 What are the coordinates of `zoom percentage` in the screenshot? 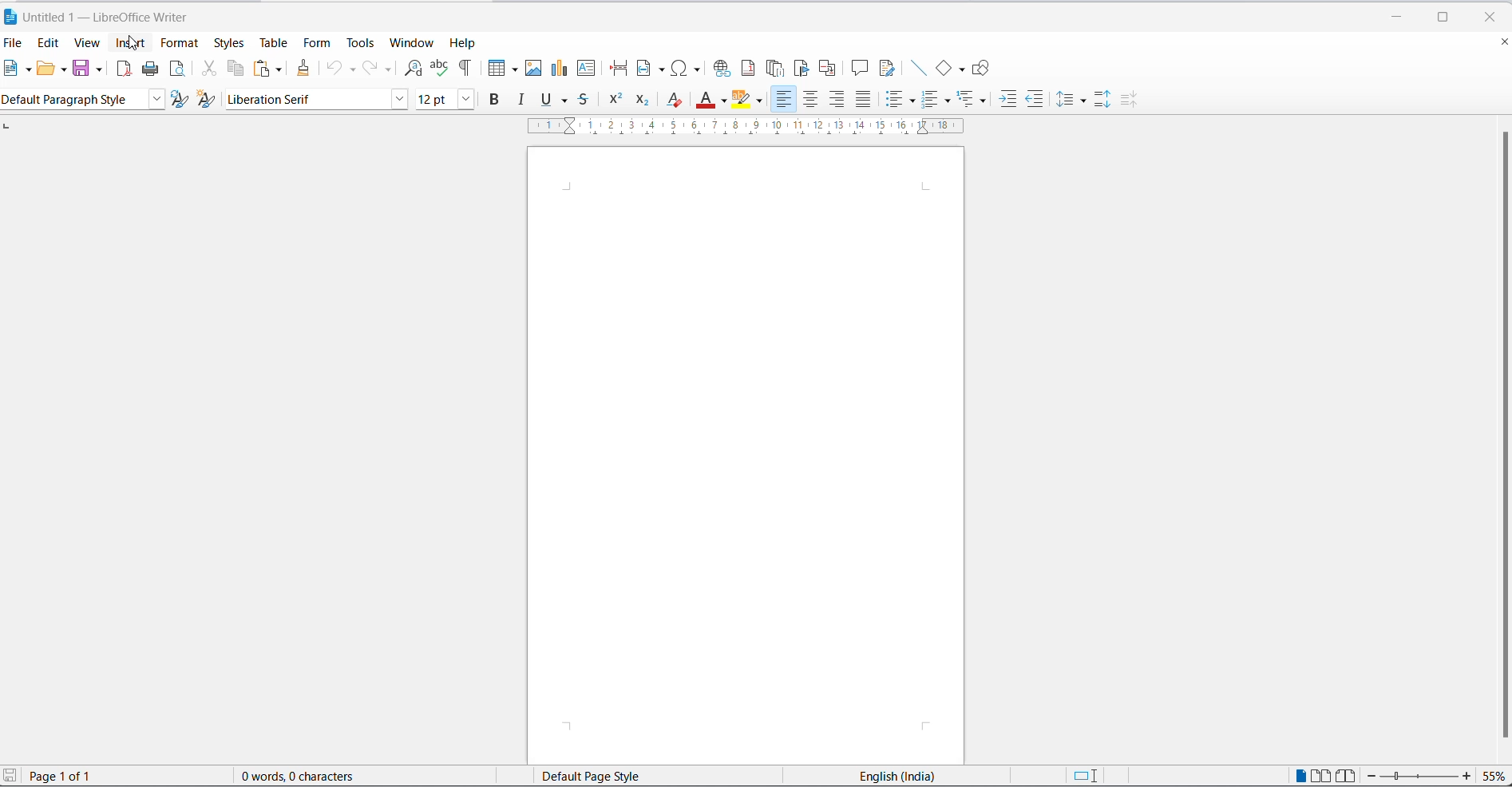 It's located at (1494, 777).